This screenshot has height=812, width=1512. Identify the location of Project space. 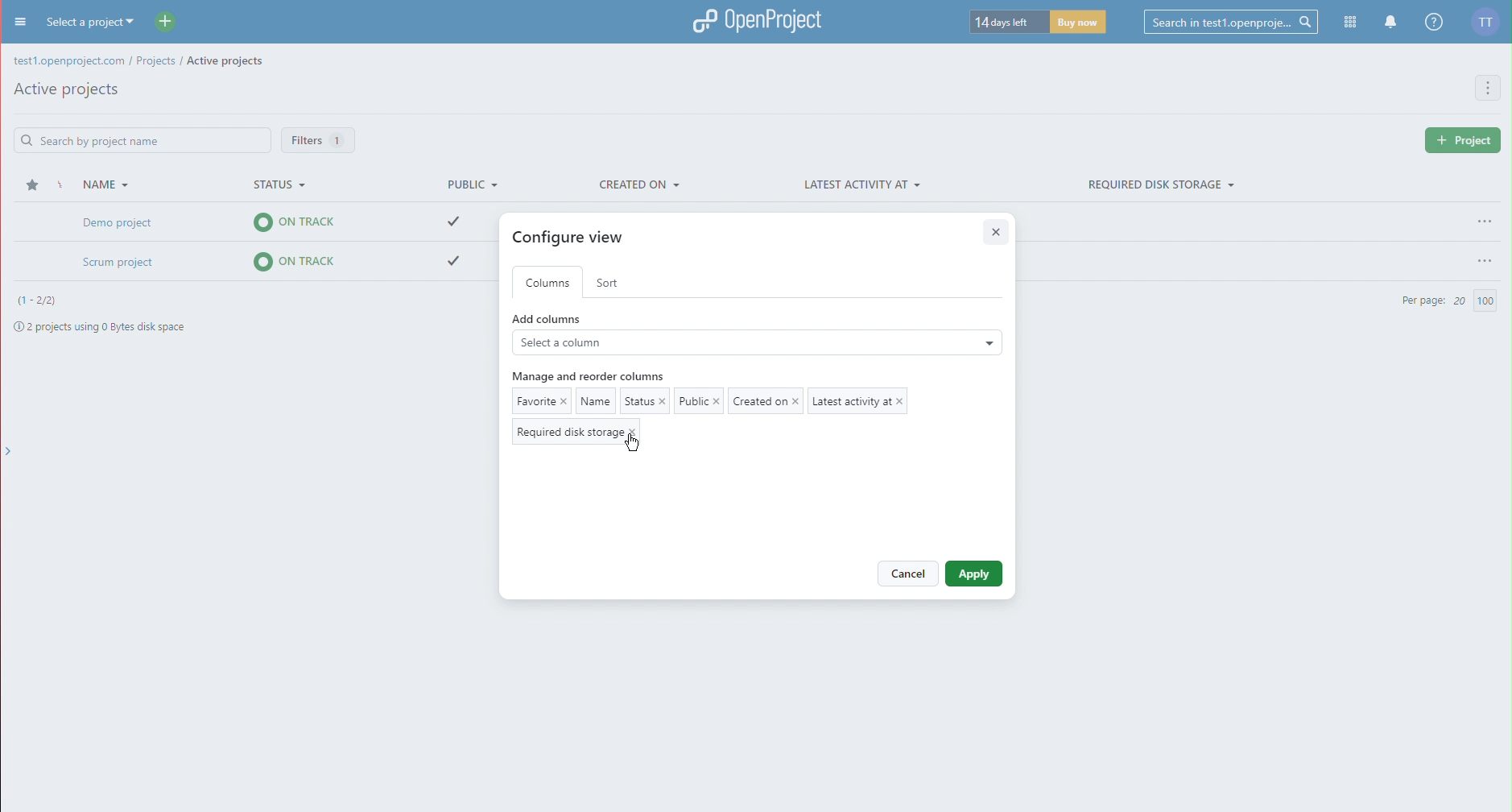
(116, 324).